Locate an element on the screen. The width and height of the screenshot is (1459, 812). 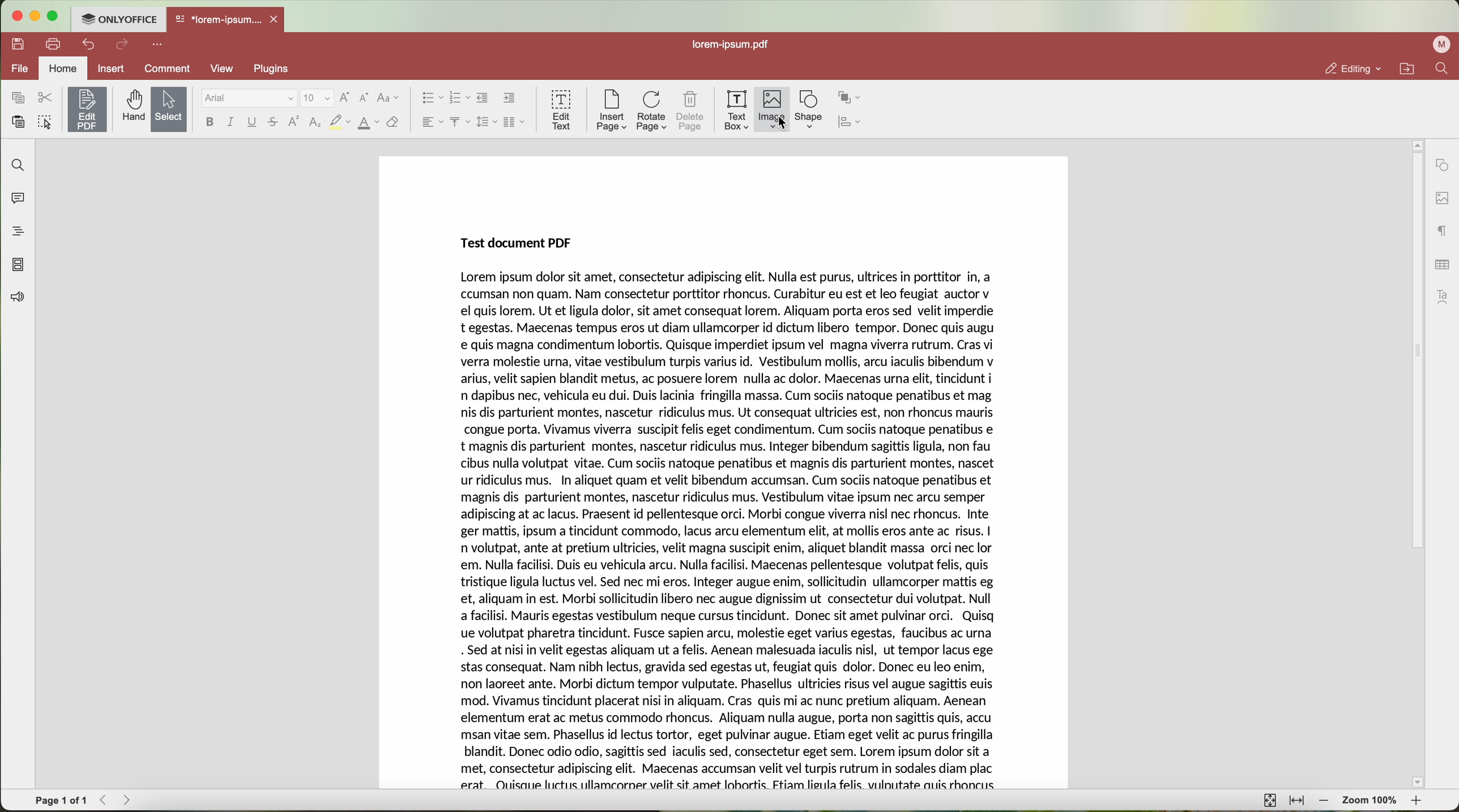
home is located at coordinates (63, 70).